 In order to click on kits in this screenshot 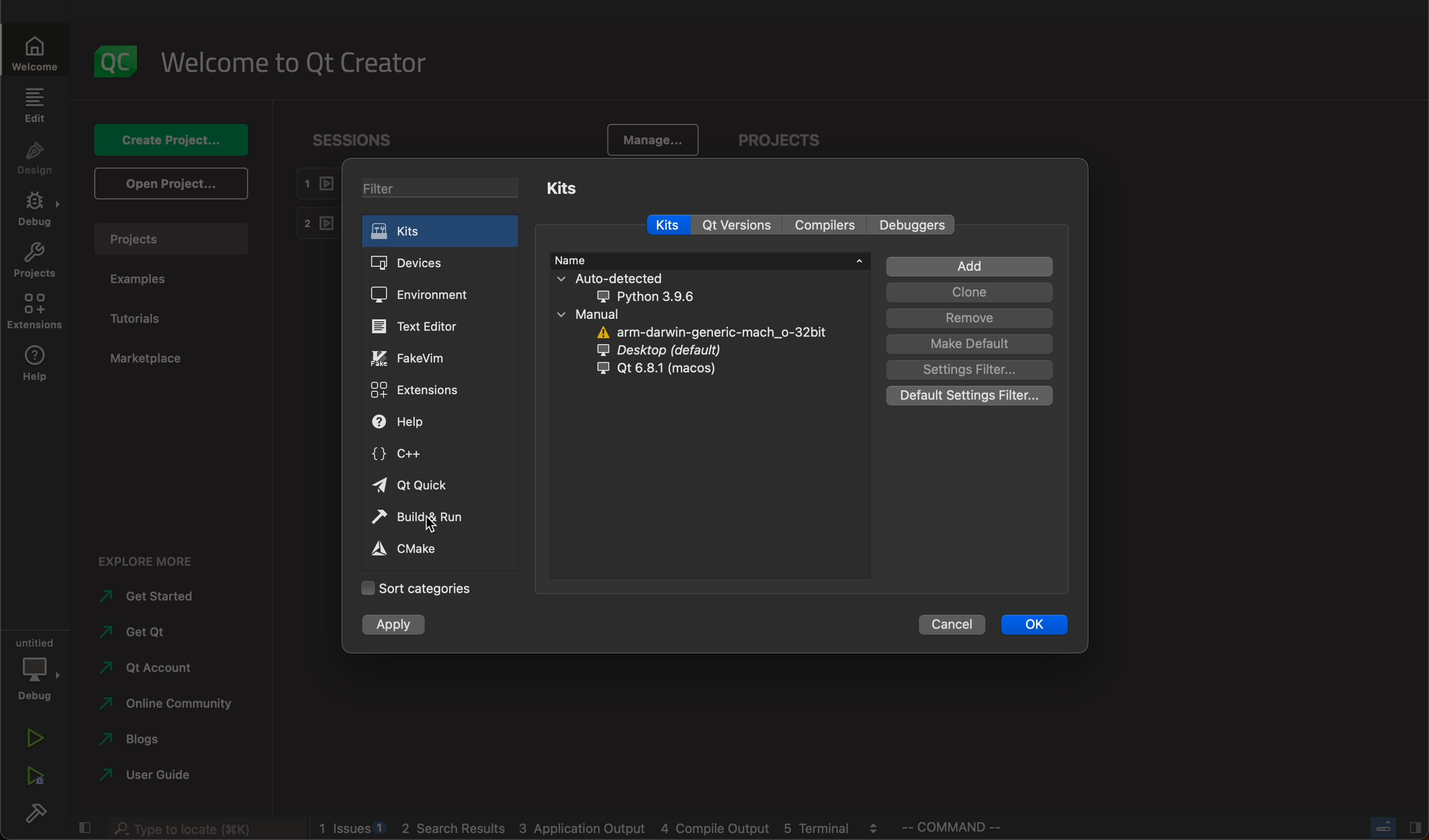, I will do `click(439, 231)`.